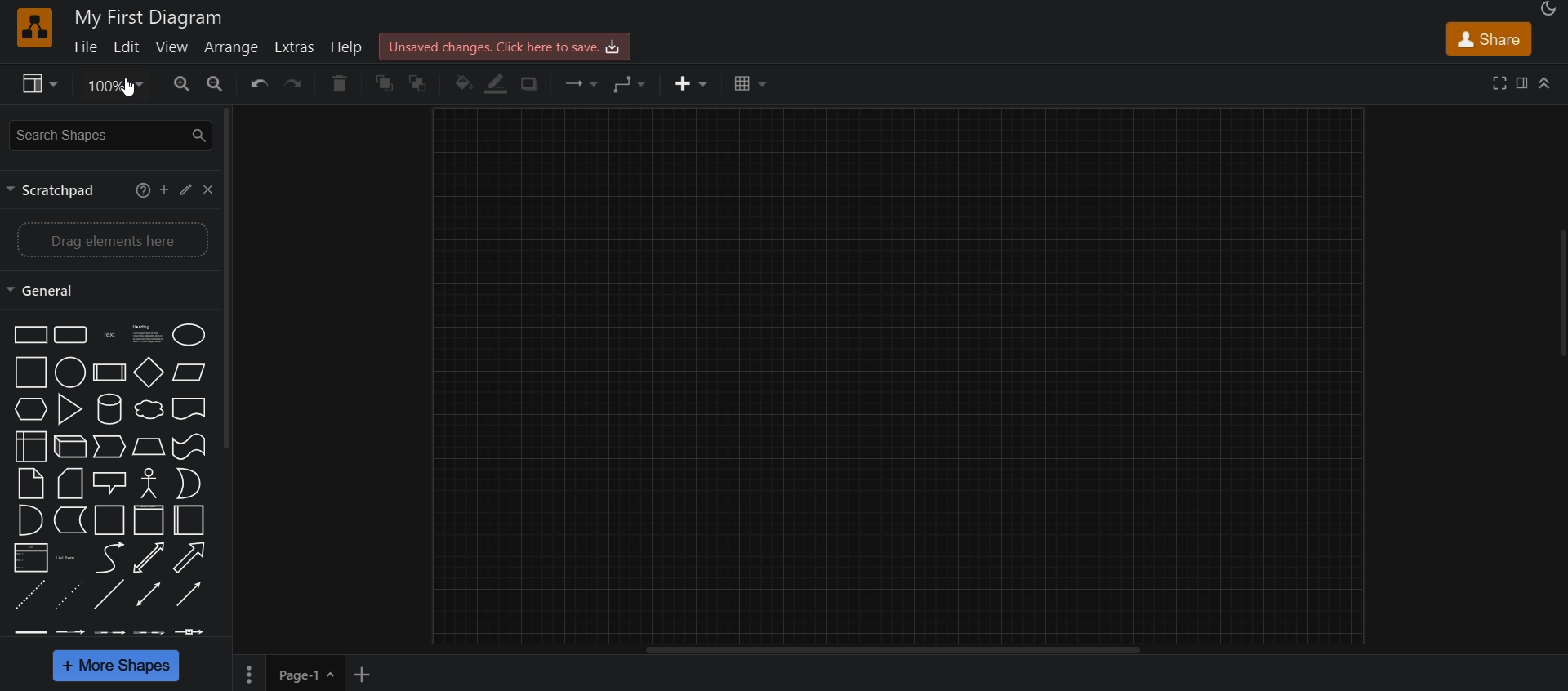 The height and width of the screenshot is (691, 1568). What do you see at coordinates (107, 135) in the screenshot?
I see `search shapes` at bounding box center [107, 135].